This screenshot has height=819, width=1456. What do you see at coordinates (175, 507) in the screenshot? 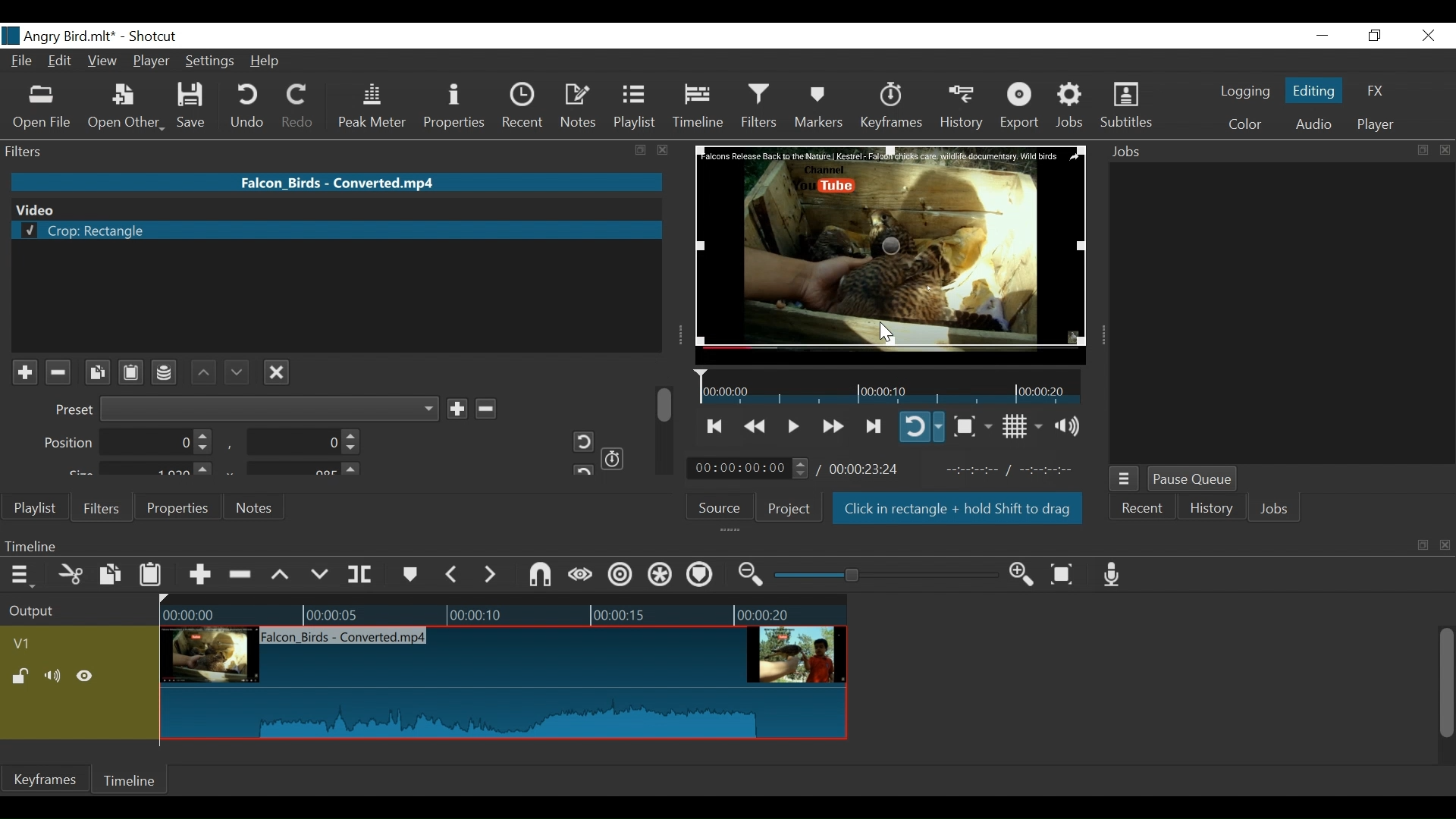
I see `Properties` at bounding box center [175, 507].